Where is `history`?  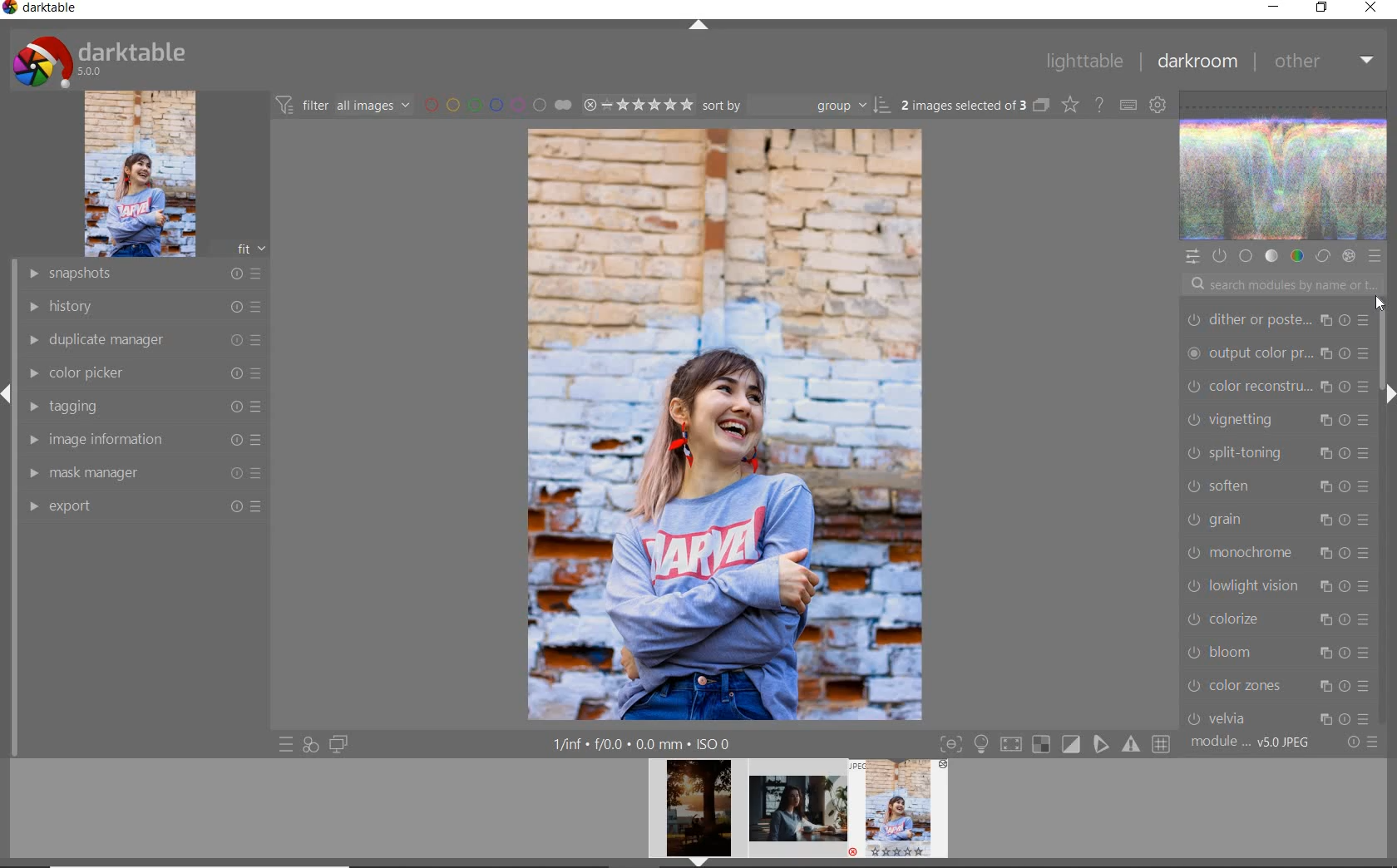 history is located at coordinates (144, 305).